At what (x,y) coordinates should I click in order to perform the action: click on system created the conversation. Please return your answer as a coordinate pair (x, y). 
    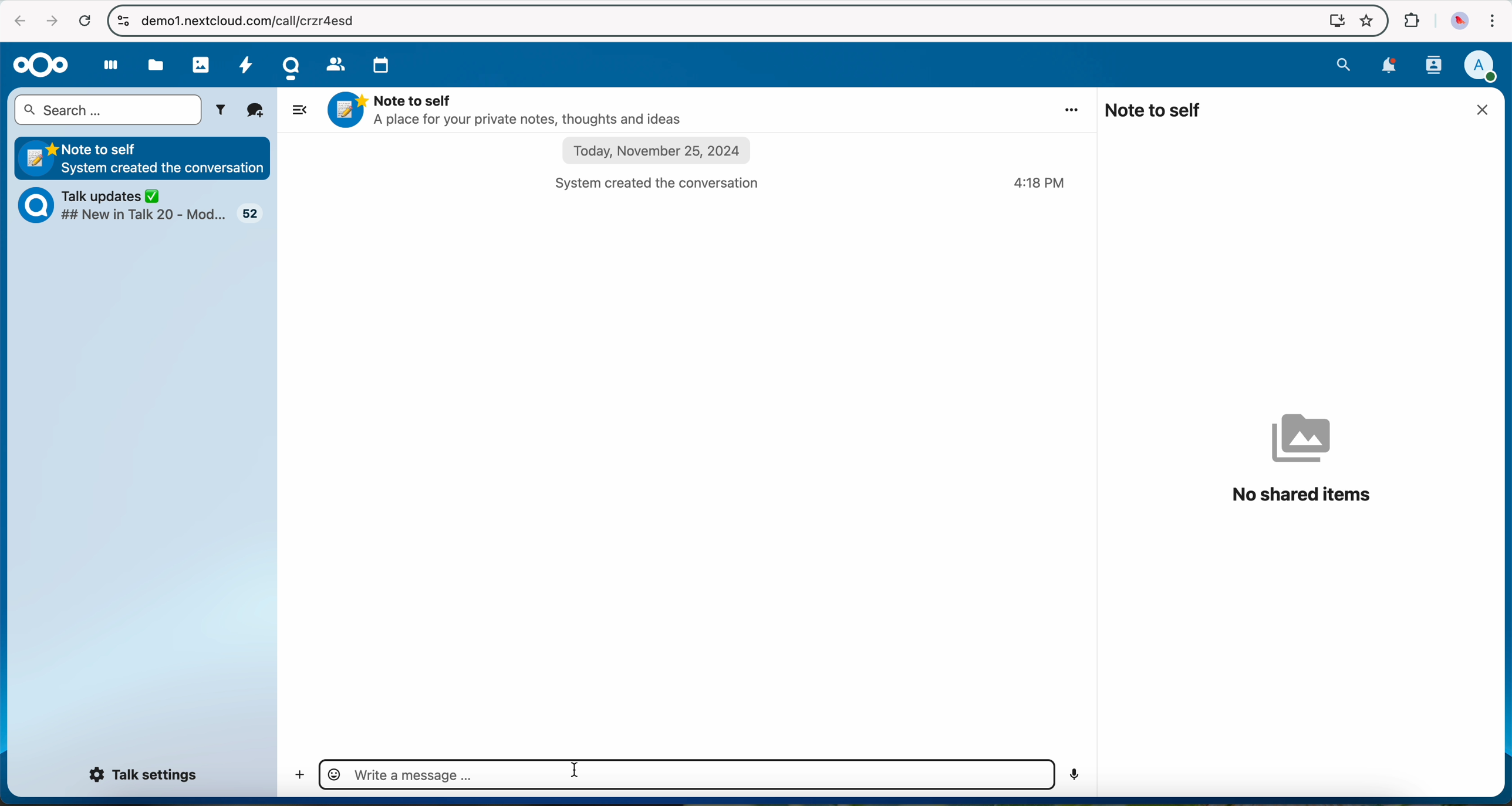
    Looking at the image, I should click on (666, 182).